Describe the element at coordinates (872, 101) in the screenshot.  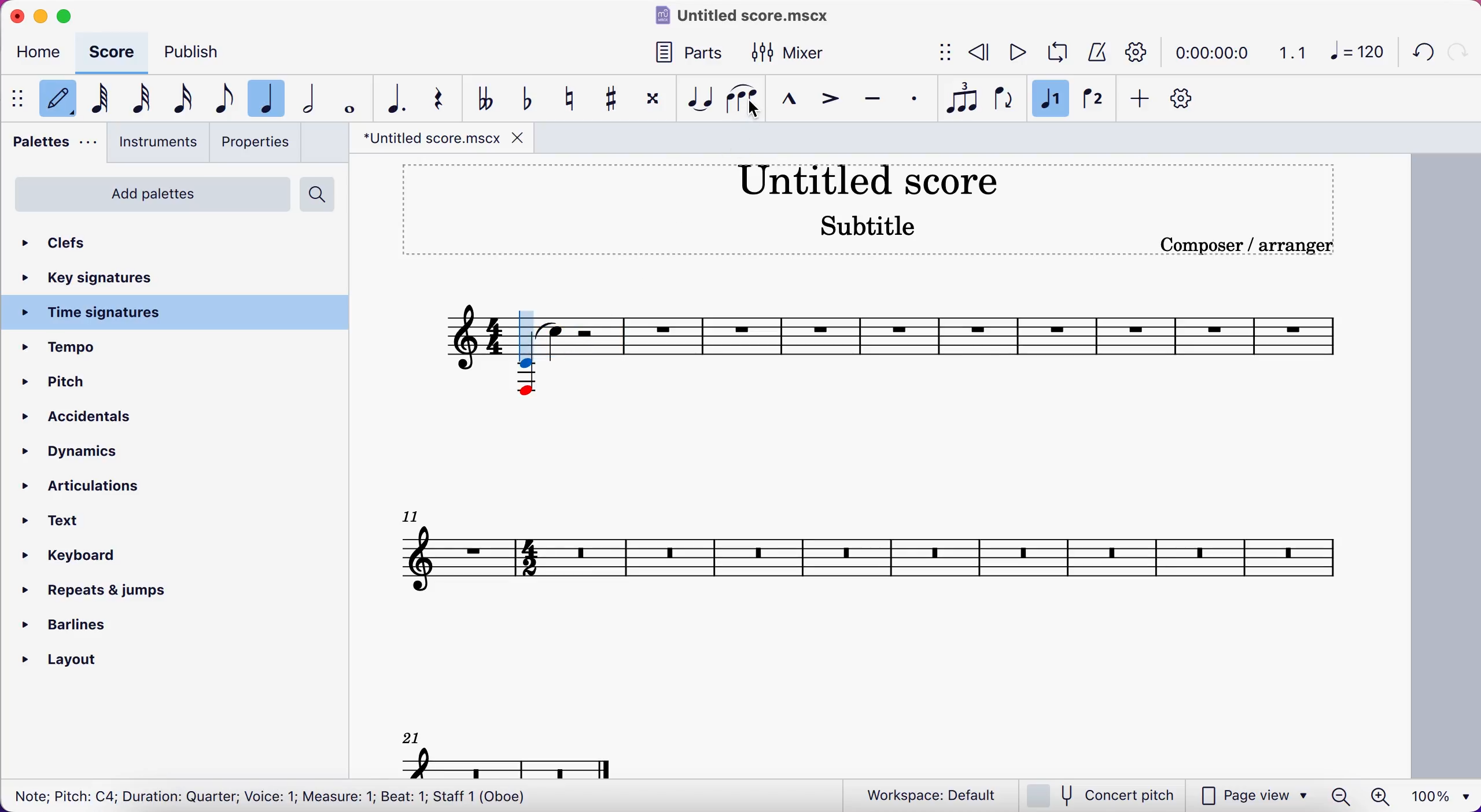
I see `tenuto` at that location.